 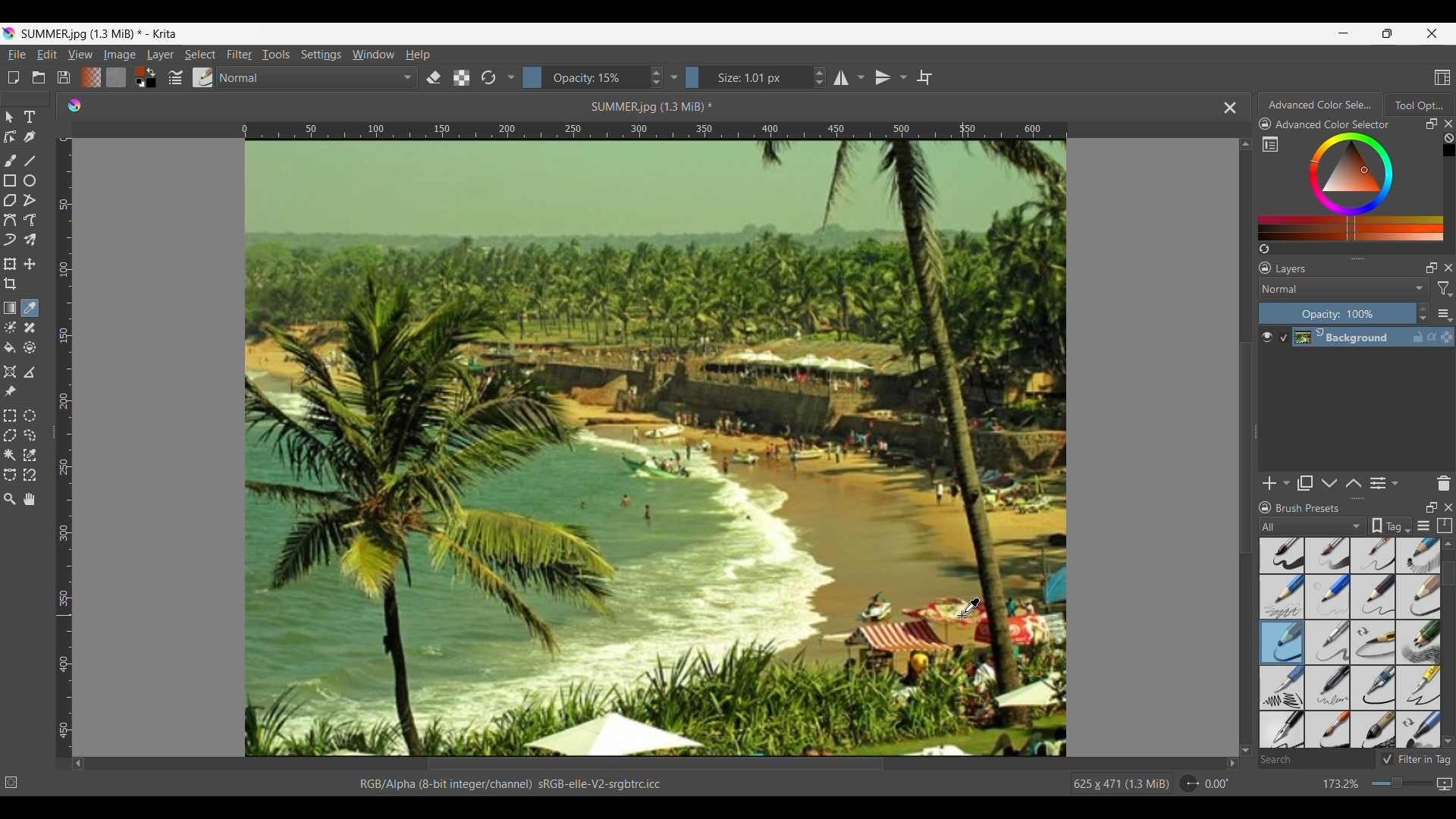 I want to click on Calligraphy, so click(x=31, y=137).